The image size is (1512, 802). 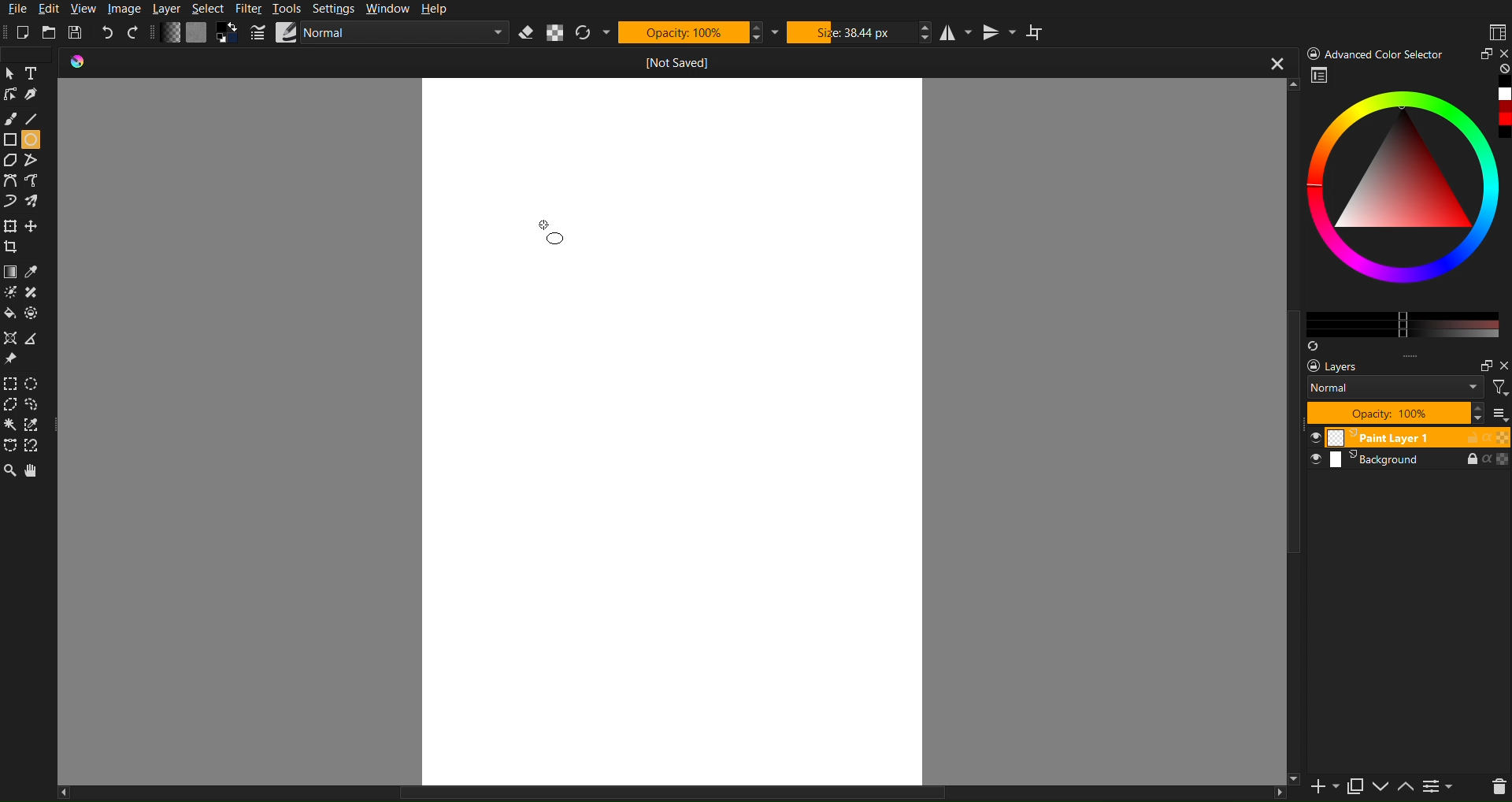 What do you see at coordinates (959, 32) in the screenshot?
I see `Horizontal Mirror` at bounding box center [959, 32].